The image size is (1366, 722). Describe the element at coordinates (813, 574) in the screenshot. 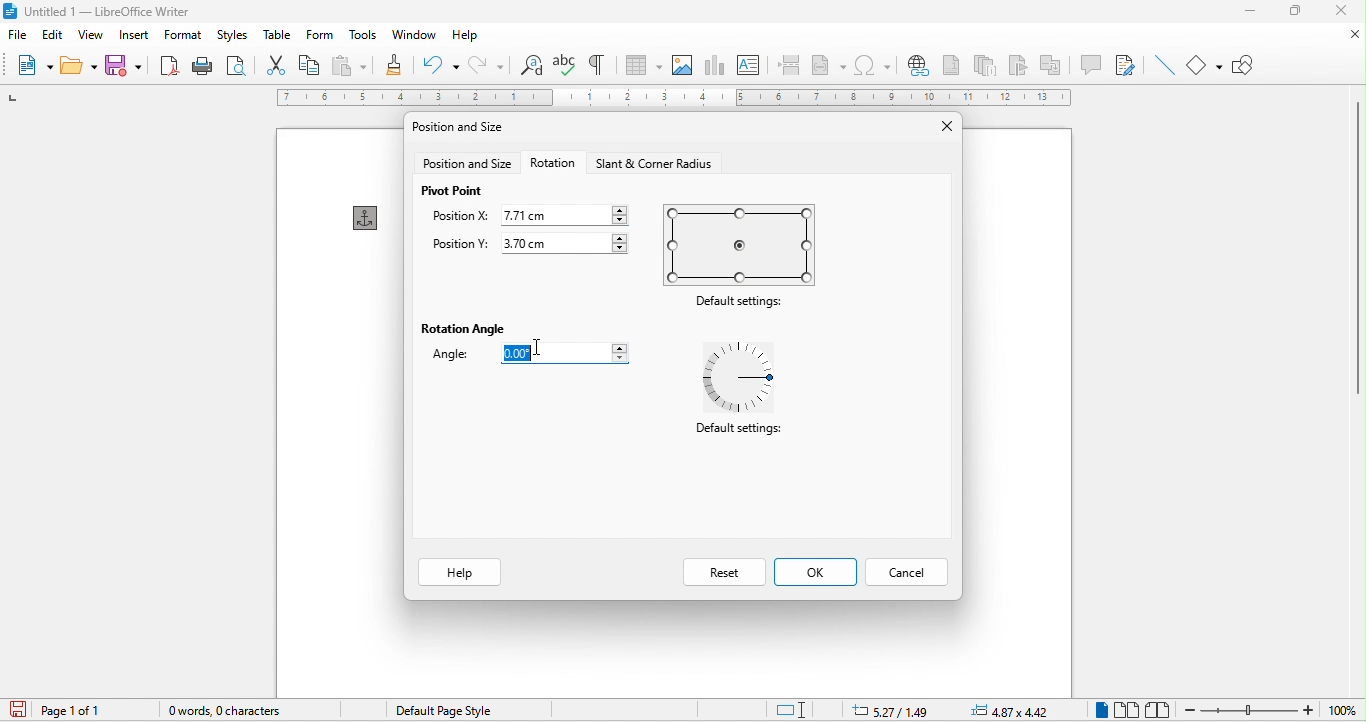

I see `ok` at that location.